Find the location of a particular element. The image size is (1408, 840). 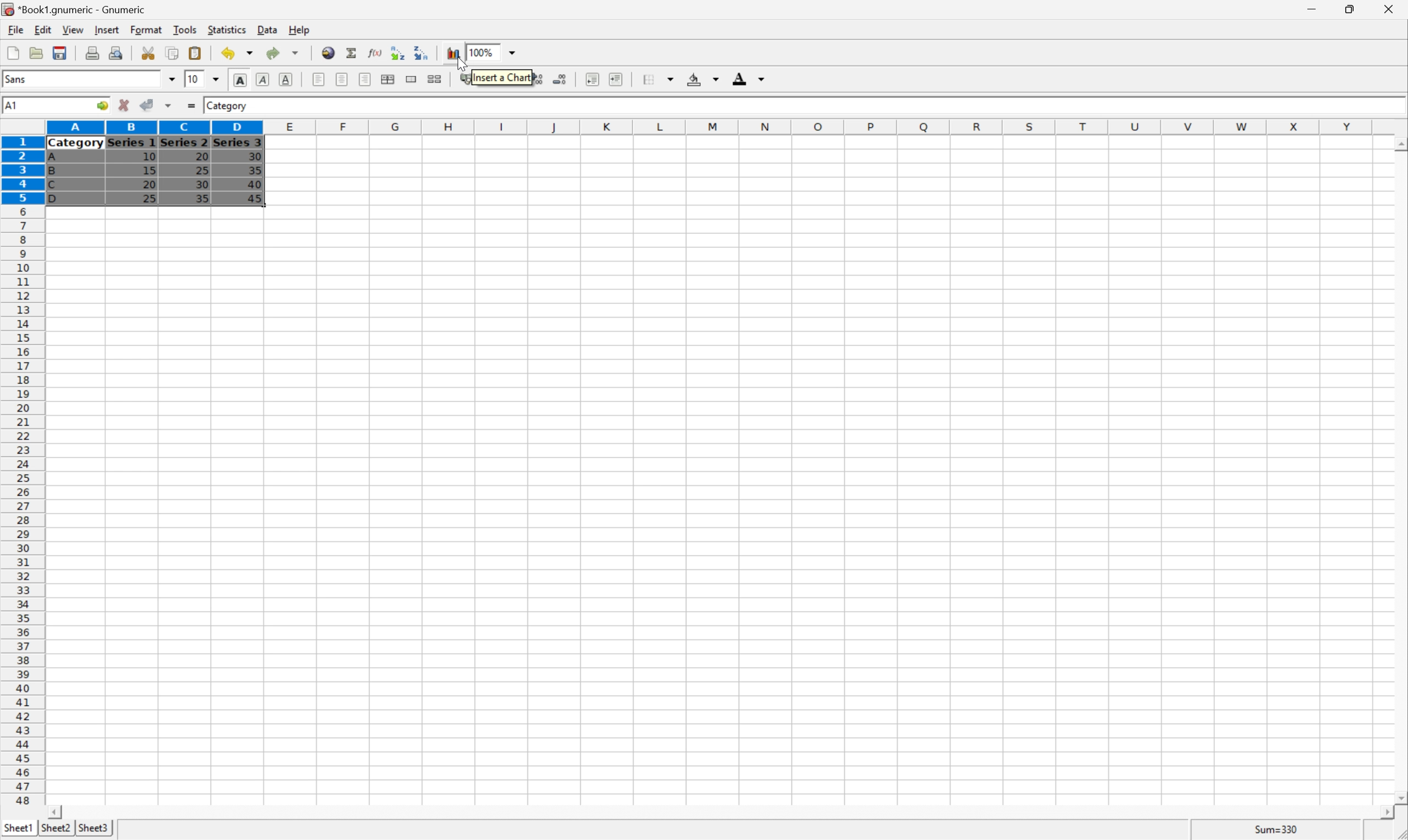

45 is located at coordinates (263, 199).